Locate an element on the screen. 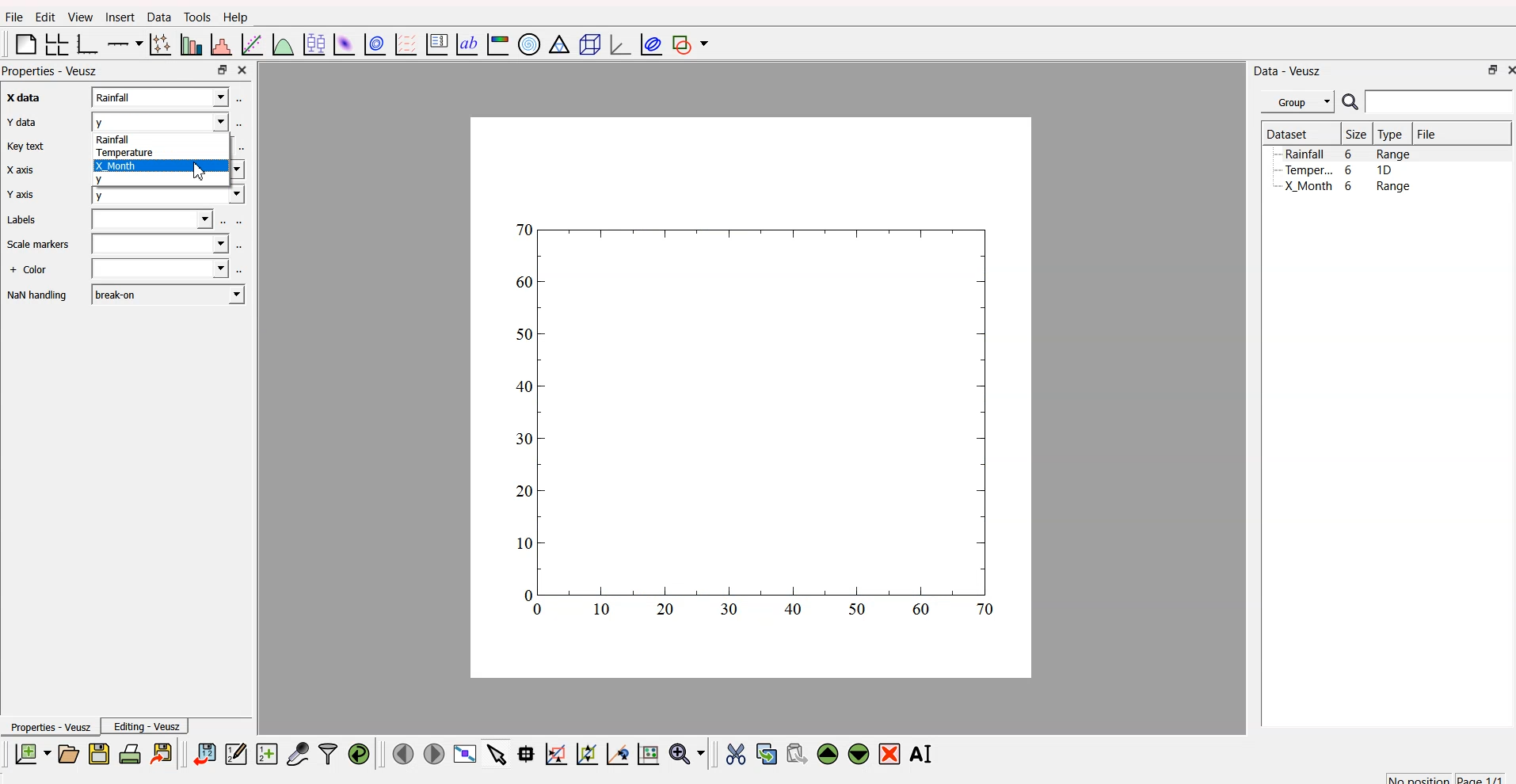 The image size is (1516, 784). Edit is located at coordinates (43, 17).